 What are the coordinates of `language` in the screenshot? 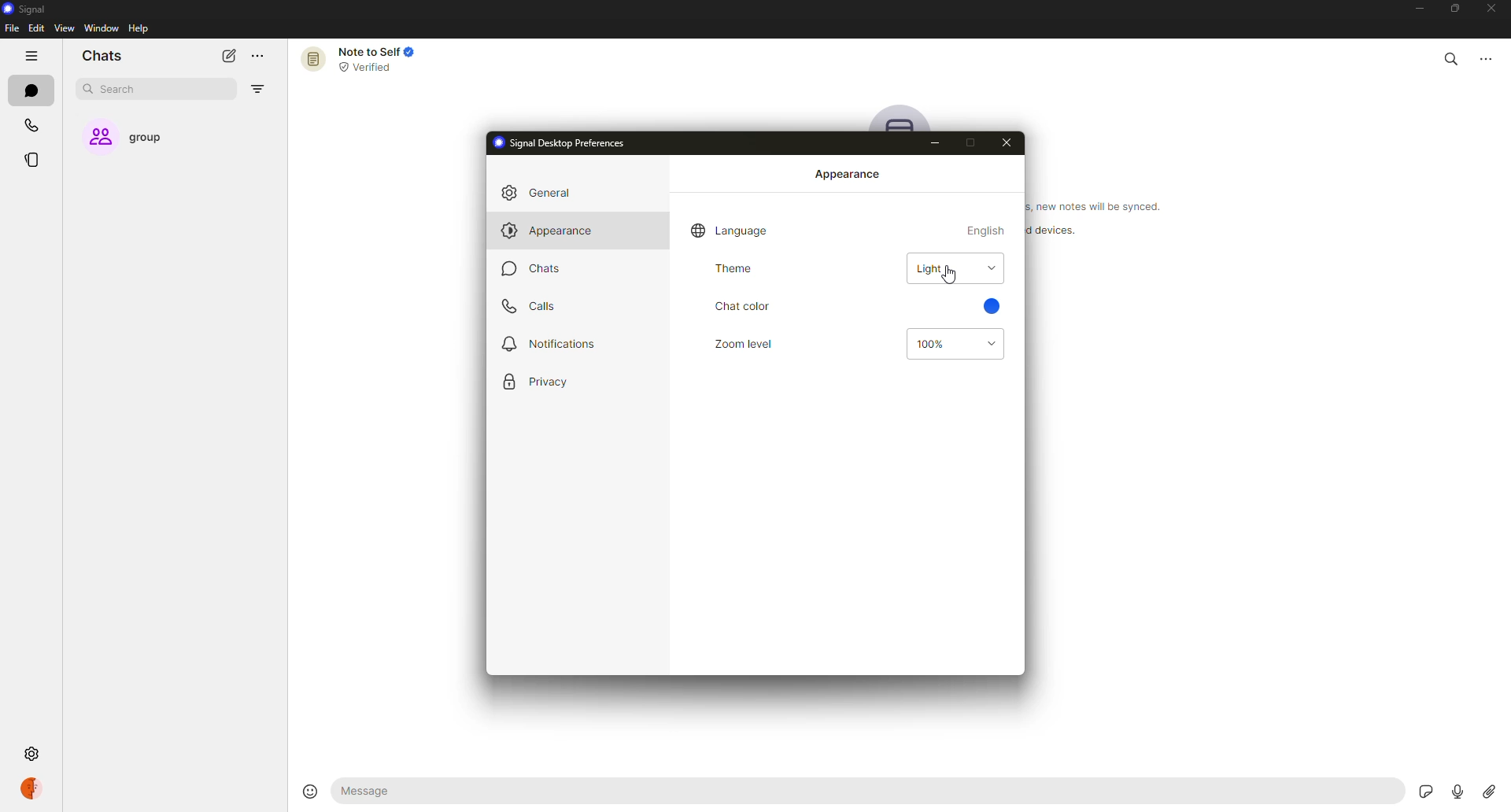 It's located at (732, 230).